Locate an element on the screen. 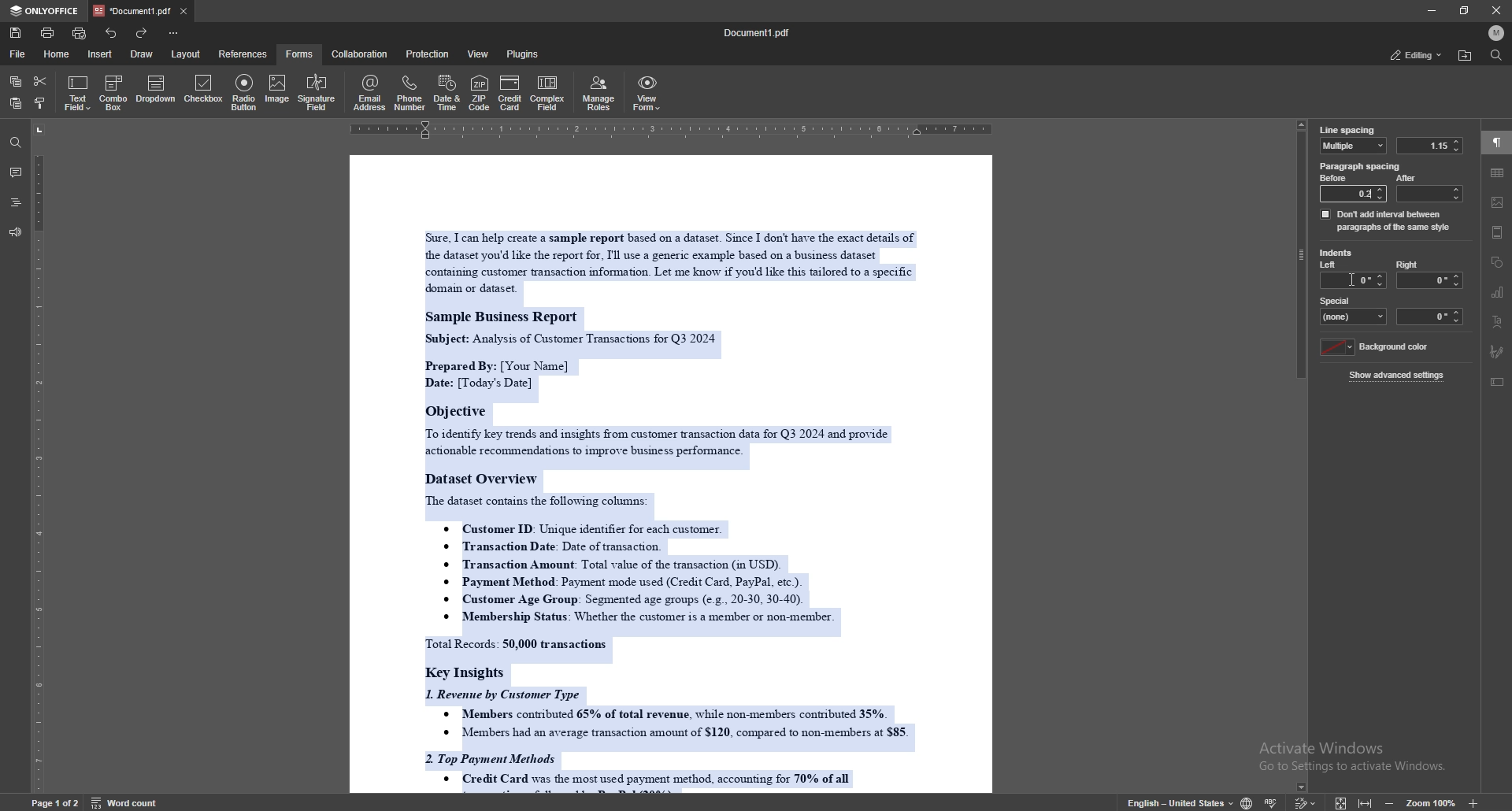 Image resolution: width=1512 pixels, height=811 pixels. email address is located at coordinates (370, 92).